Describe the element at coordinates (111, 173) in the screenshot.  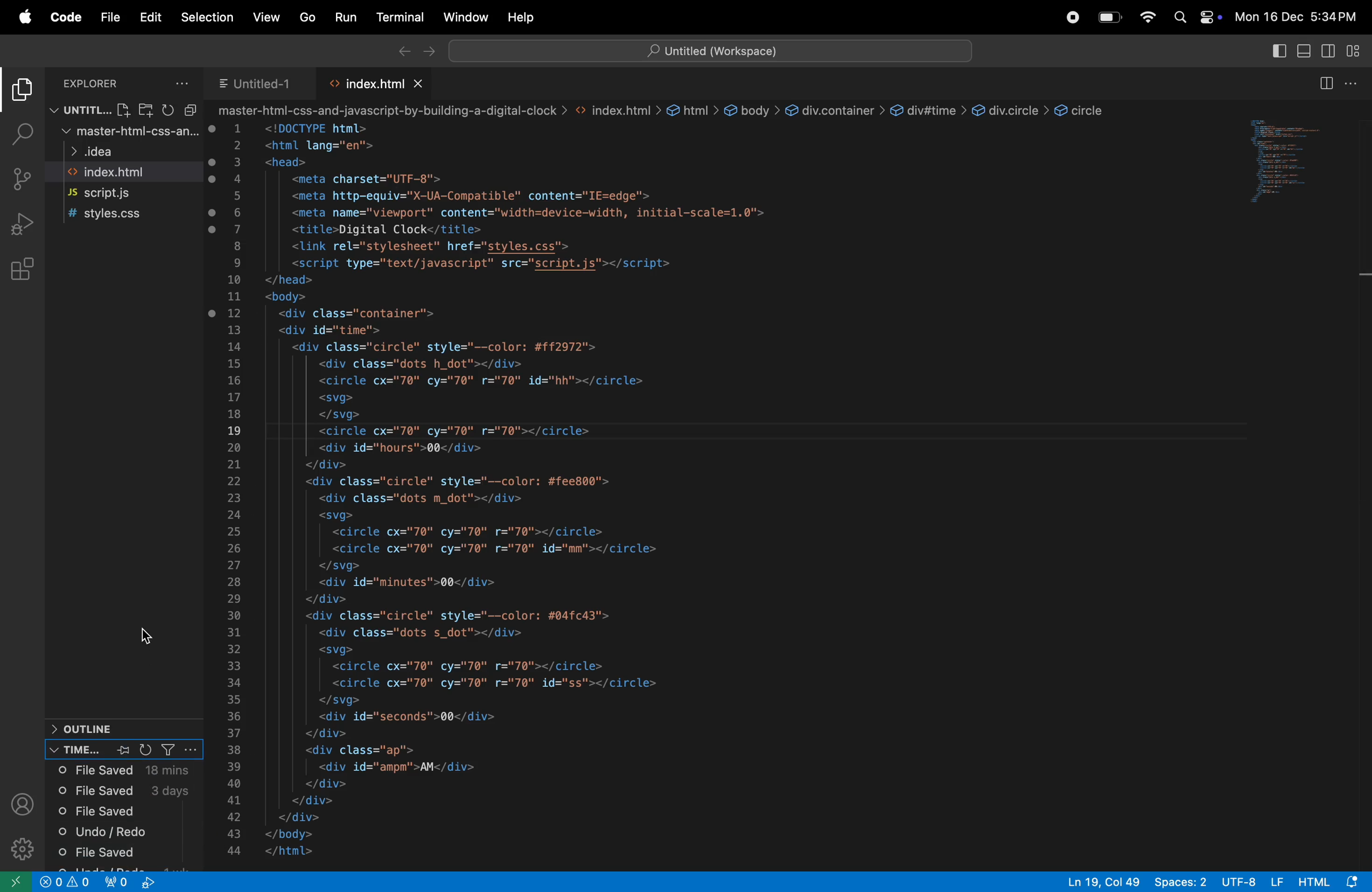
I see `index.html` at that location.